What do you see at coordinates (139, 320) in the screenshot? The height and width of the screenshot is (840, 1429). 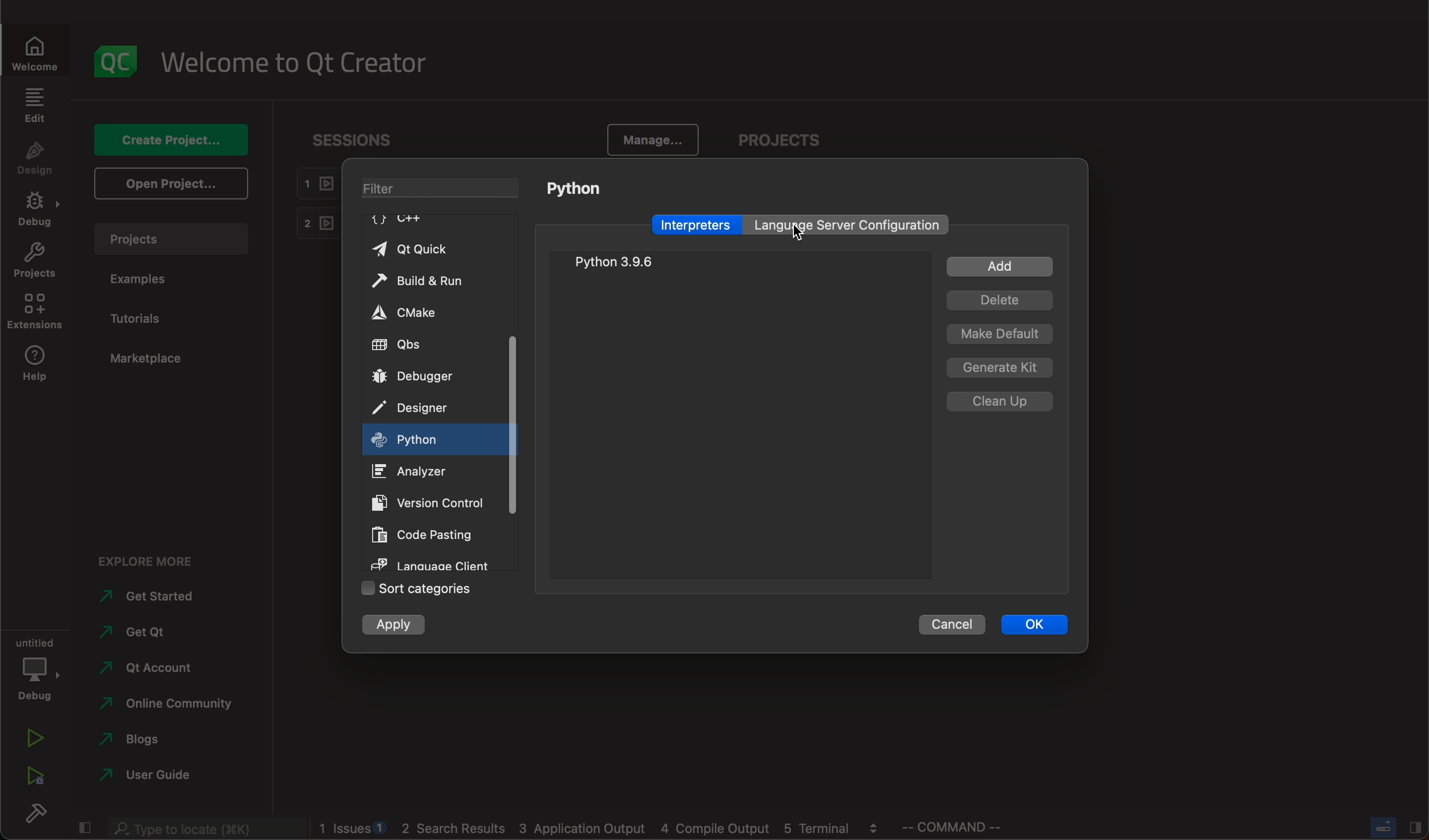 I see `tutorials` at bounding box center [139, 320].